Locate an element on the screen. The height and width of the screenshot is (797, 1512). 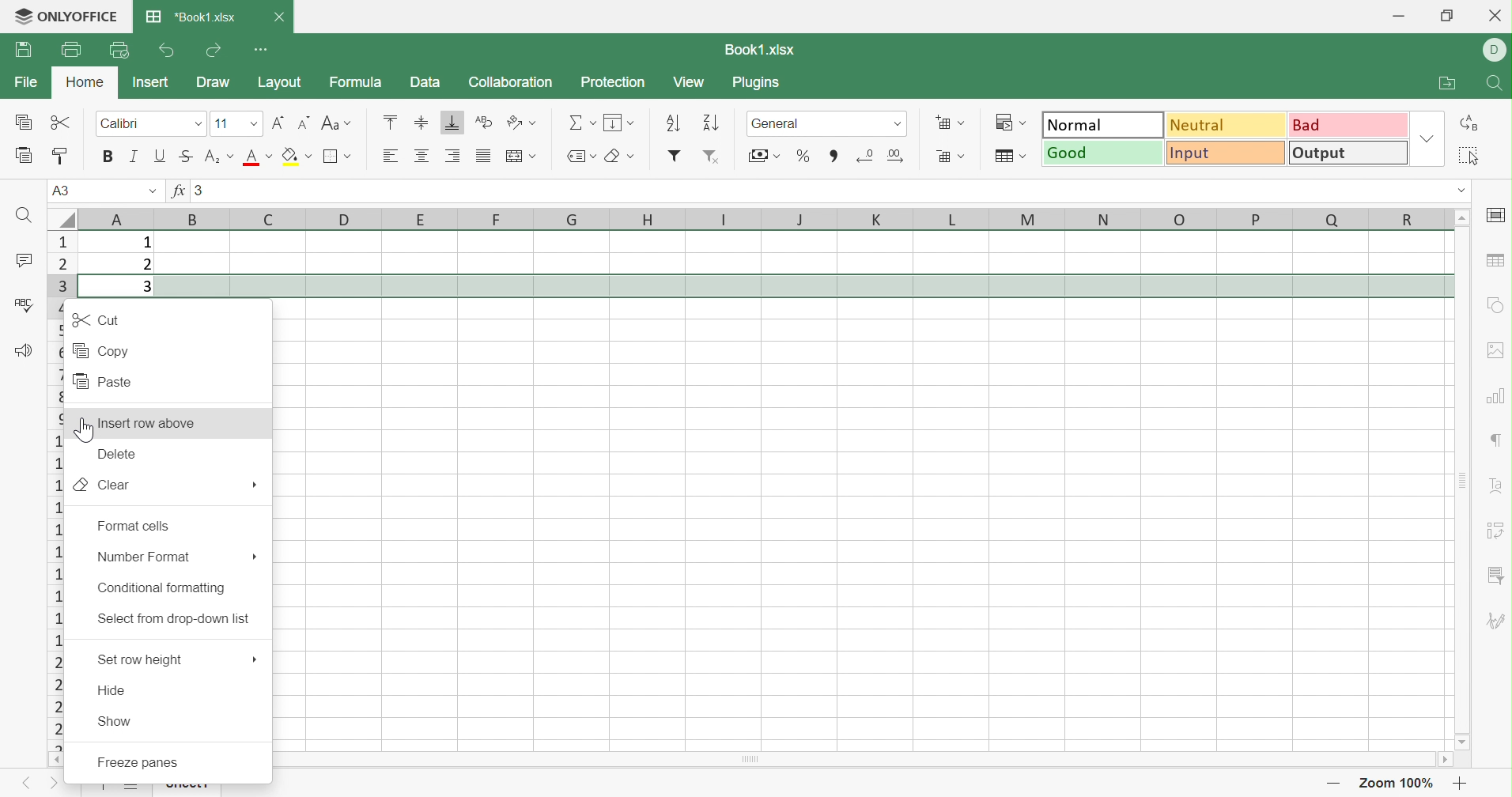
Find is located at coordinates (1497, 83).